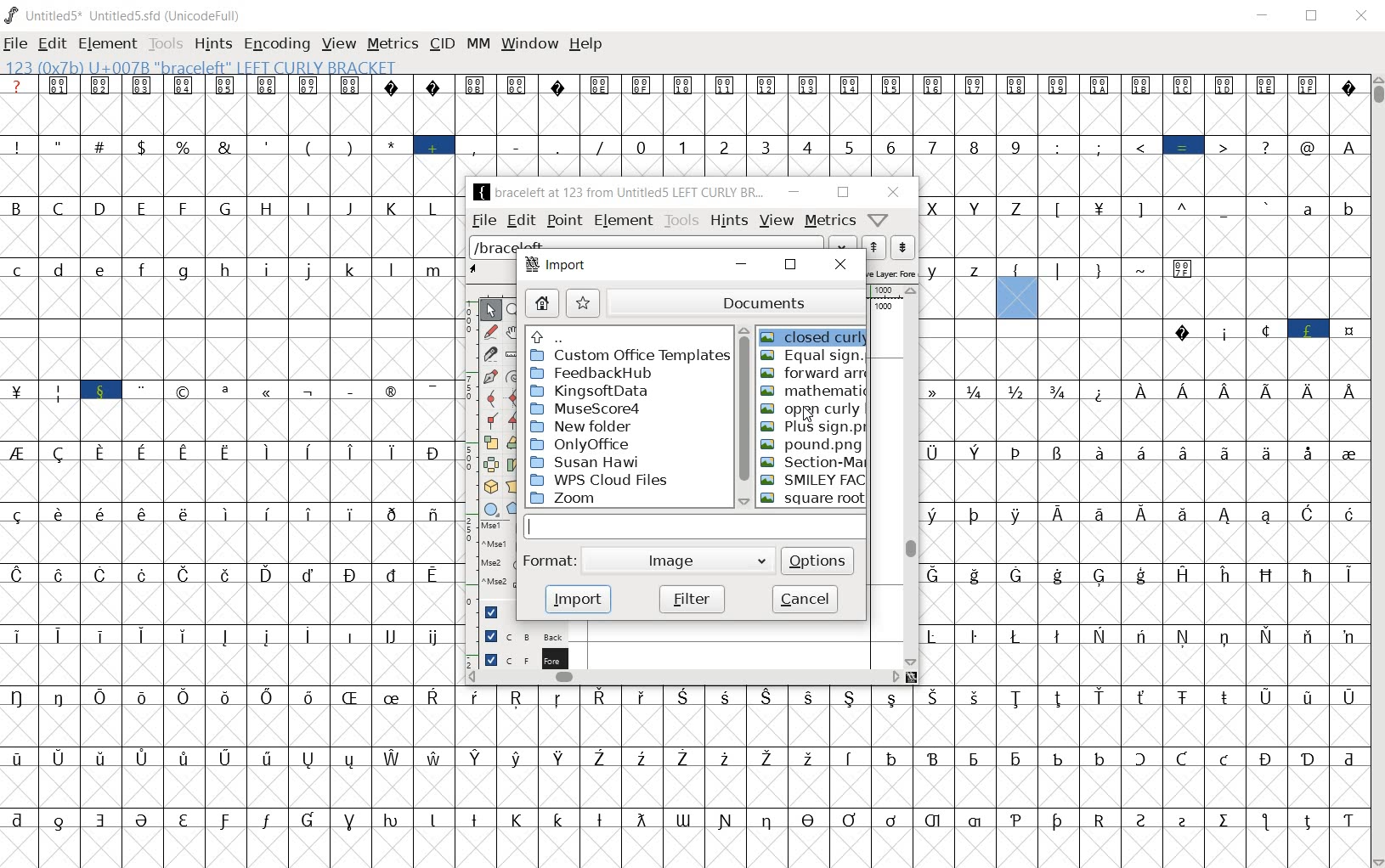 This screenshot has height=868, width=1385. I want to click on image, so click(676, 561).